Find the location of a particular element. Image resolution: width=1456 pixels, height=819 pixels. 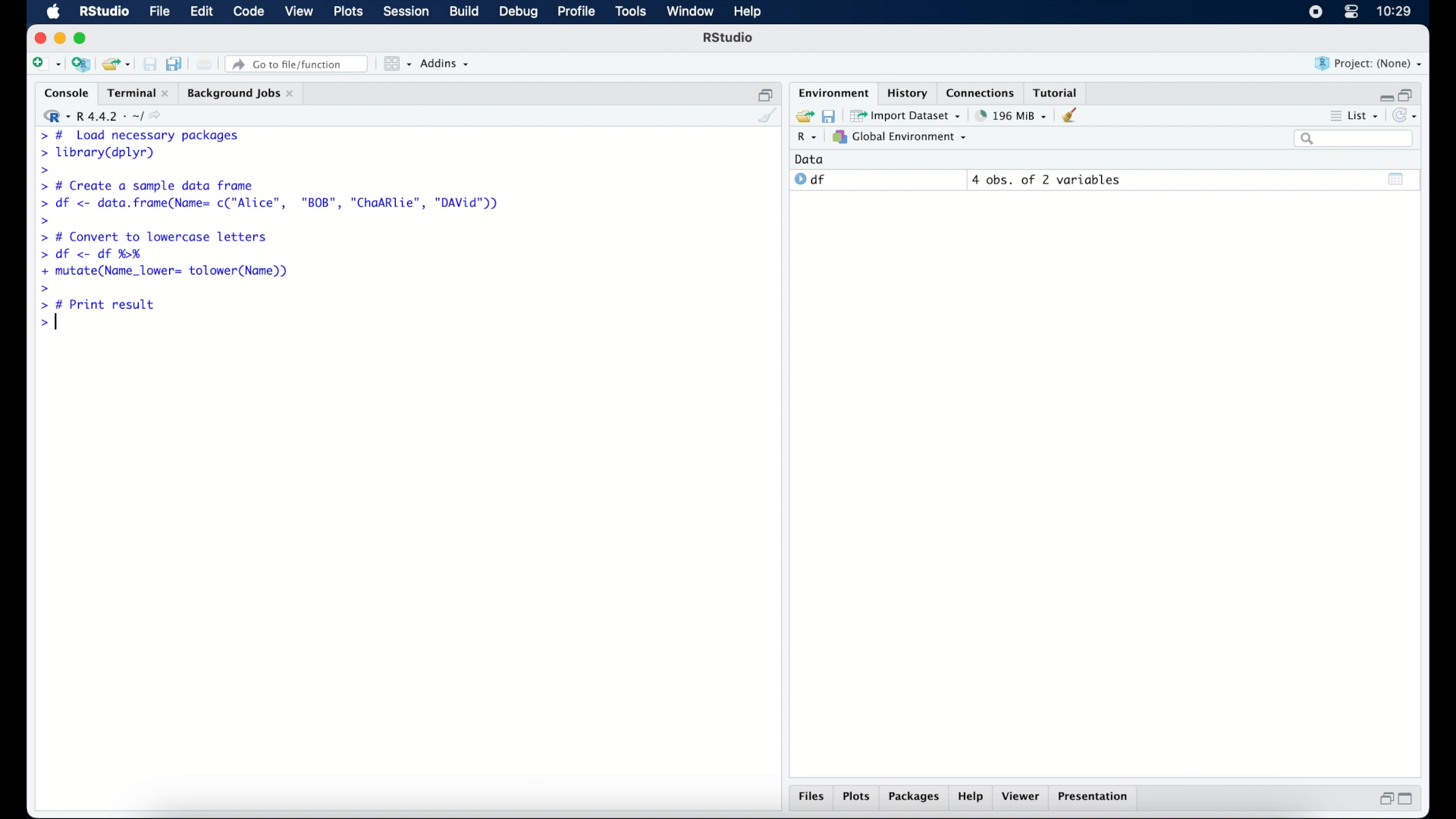

file is located at coordinates (158, 12).